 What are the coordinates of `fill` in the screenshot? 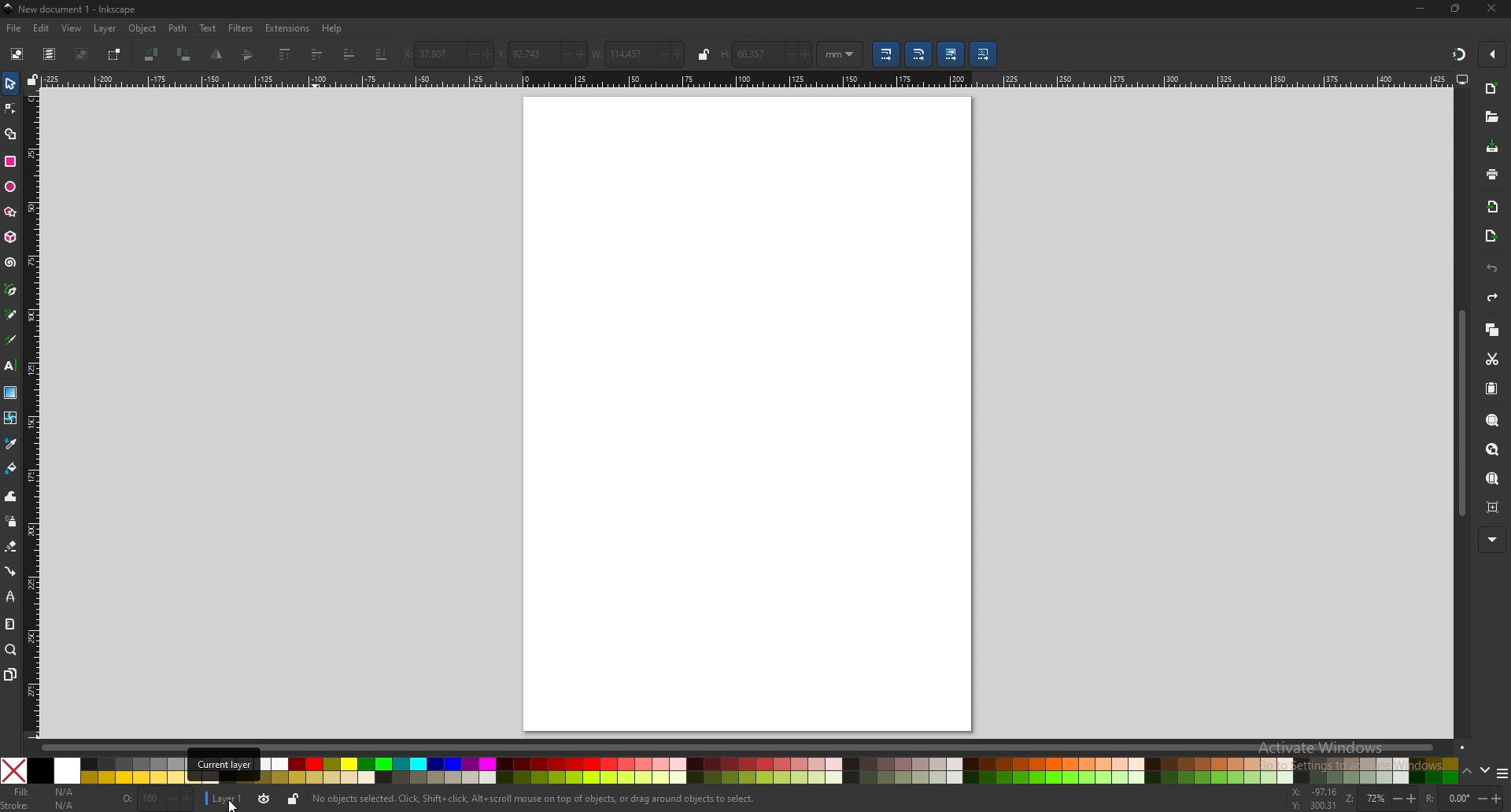 It's located at (43, 792).